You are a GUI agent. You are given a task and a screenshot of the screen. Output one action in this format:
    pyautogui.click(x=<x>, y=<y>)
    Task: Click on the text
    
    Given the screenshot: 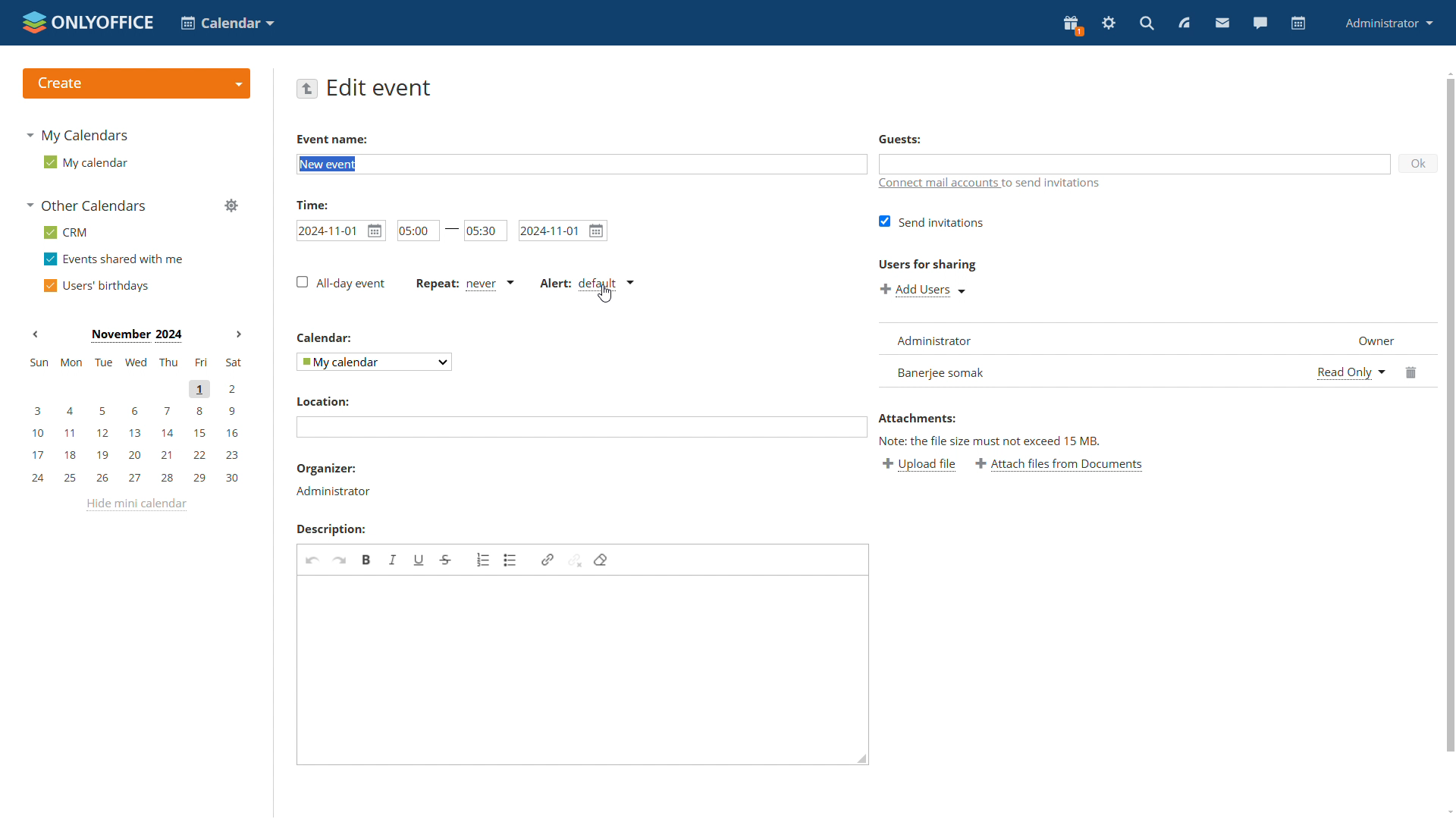 What is the action you would take?
    pyautogui.click(x=1057, y=184)
    